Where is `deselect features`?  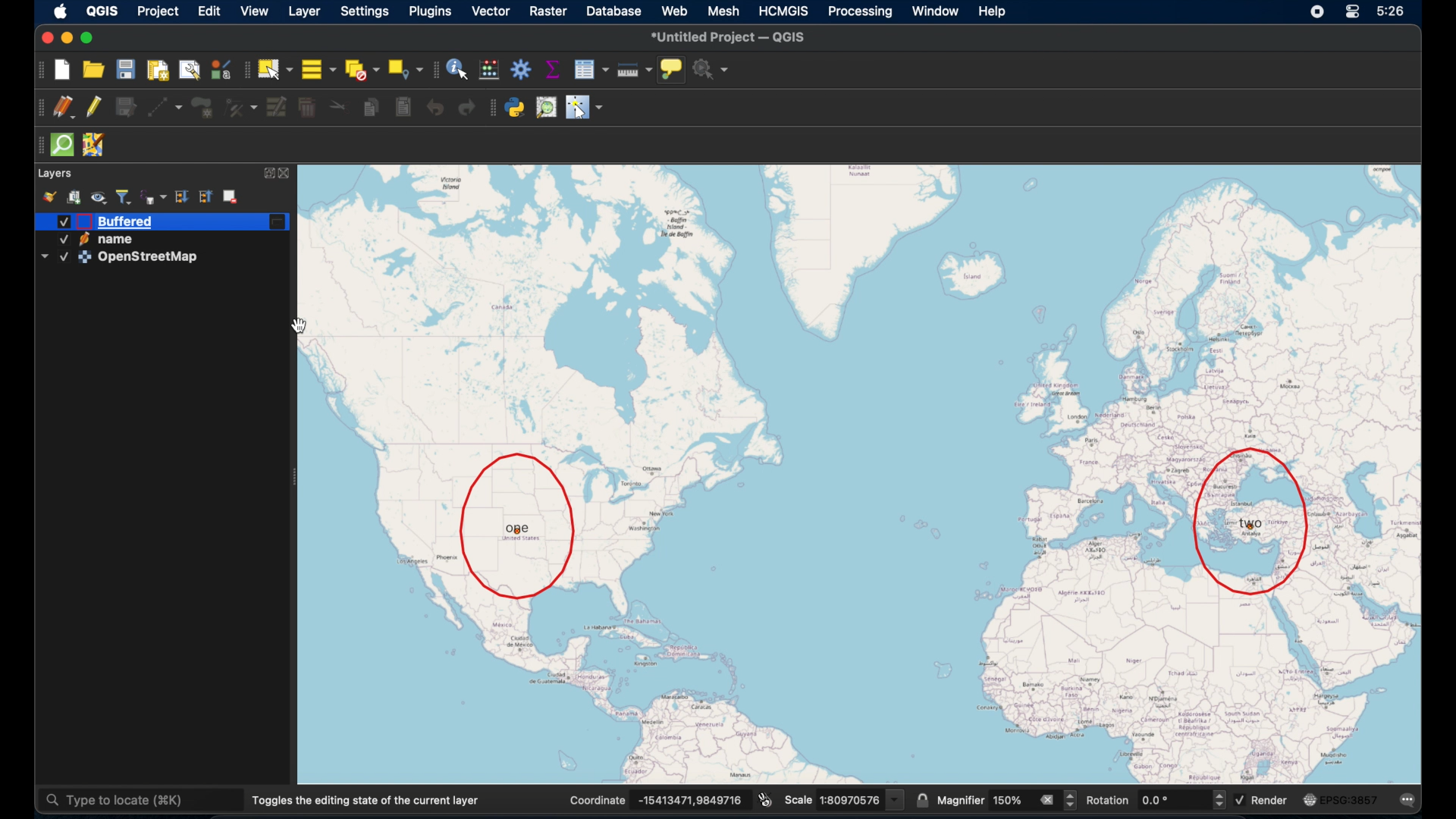
deselect features is located at coordinates (360, 69).